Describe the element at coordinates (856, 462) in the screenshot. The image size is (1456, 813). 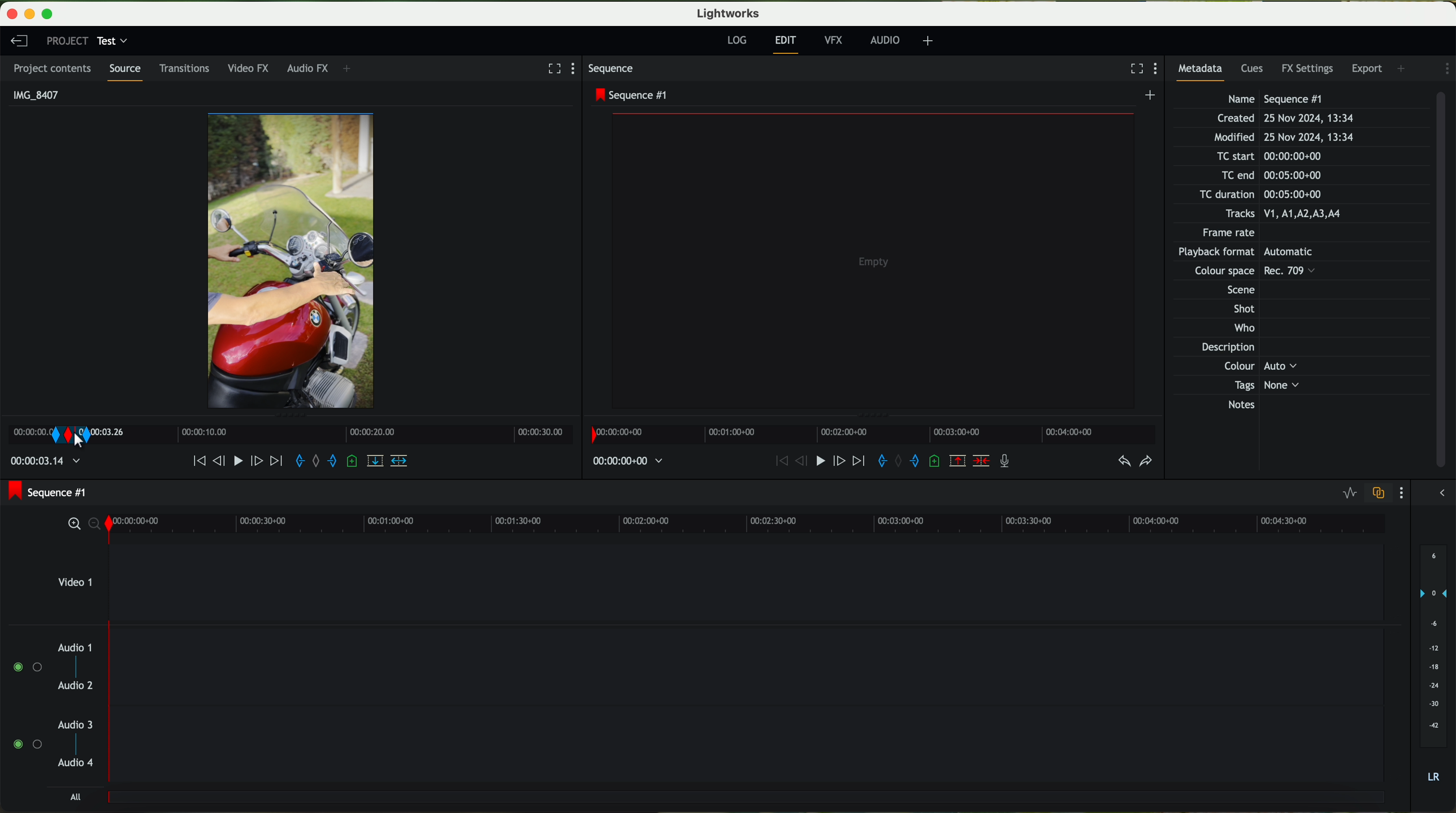
I see `move foward` at that location.